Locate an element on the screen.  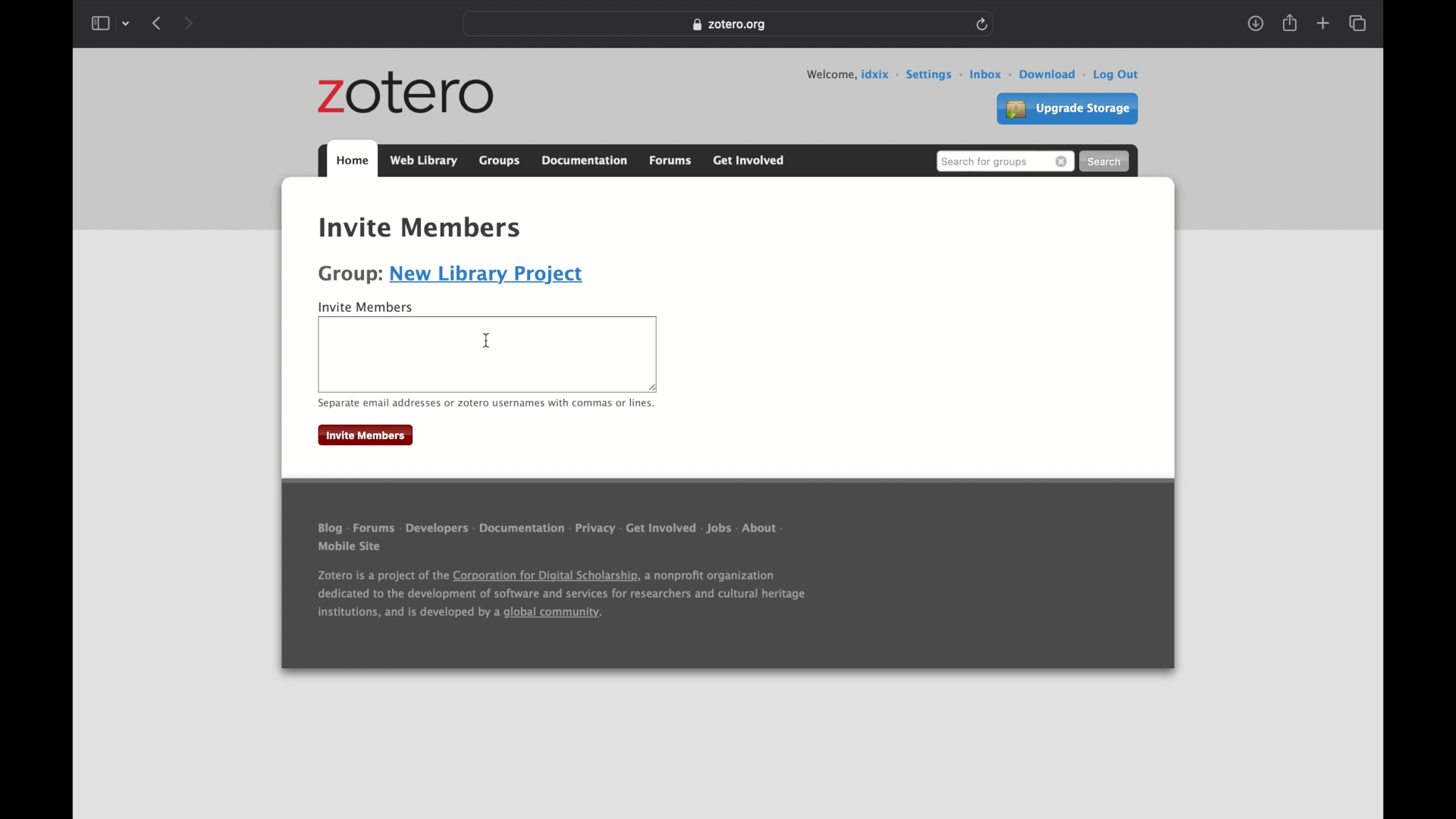
upgrade storage is located at coordinates (1066, 110).